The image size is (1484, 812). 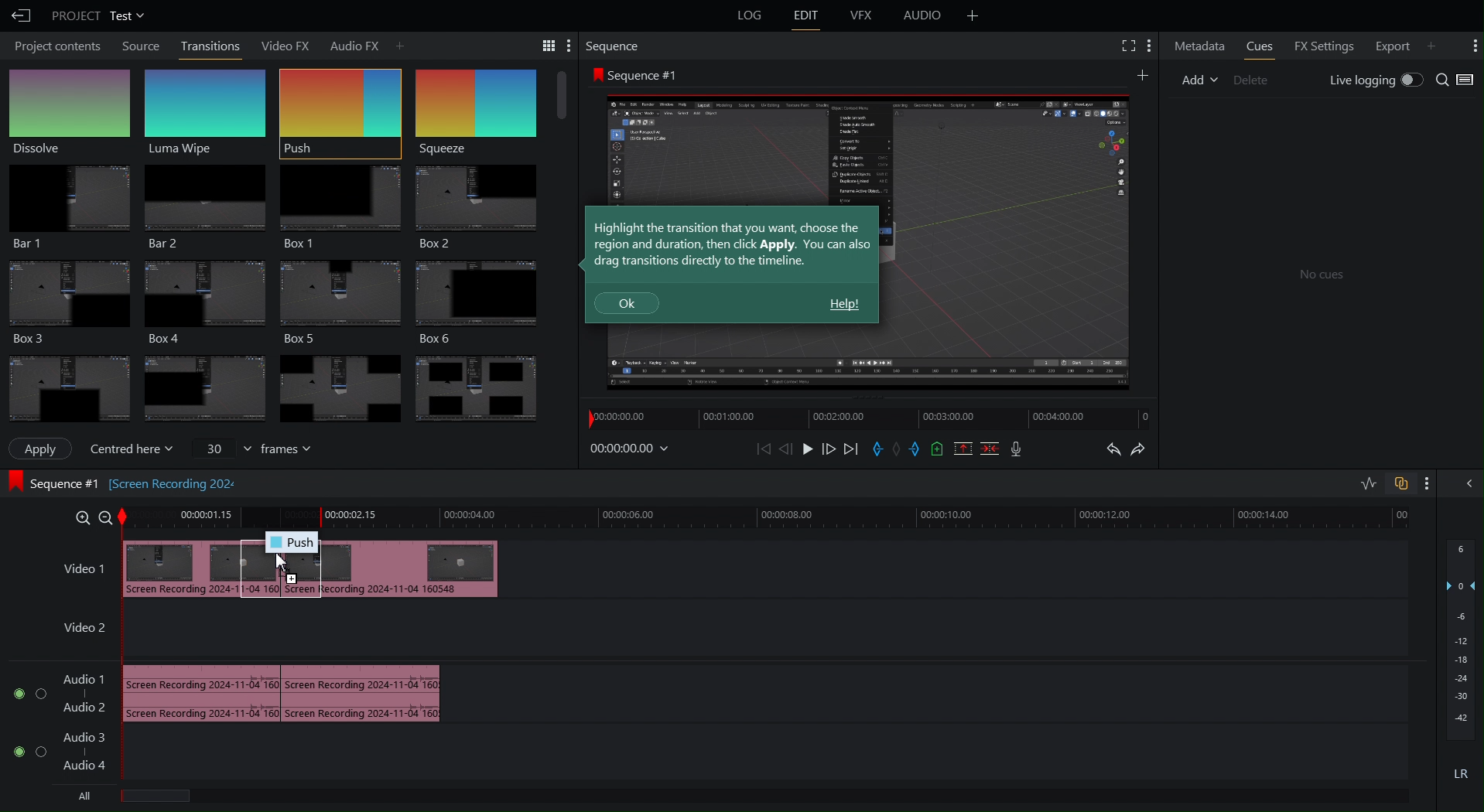 What do you see at coordinates (926, 15) in the screenshot?
I see `Audio` at bounding box center [926, 15].